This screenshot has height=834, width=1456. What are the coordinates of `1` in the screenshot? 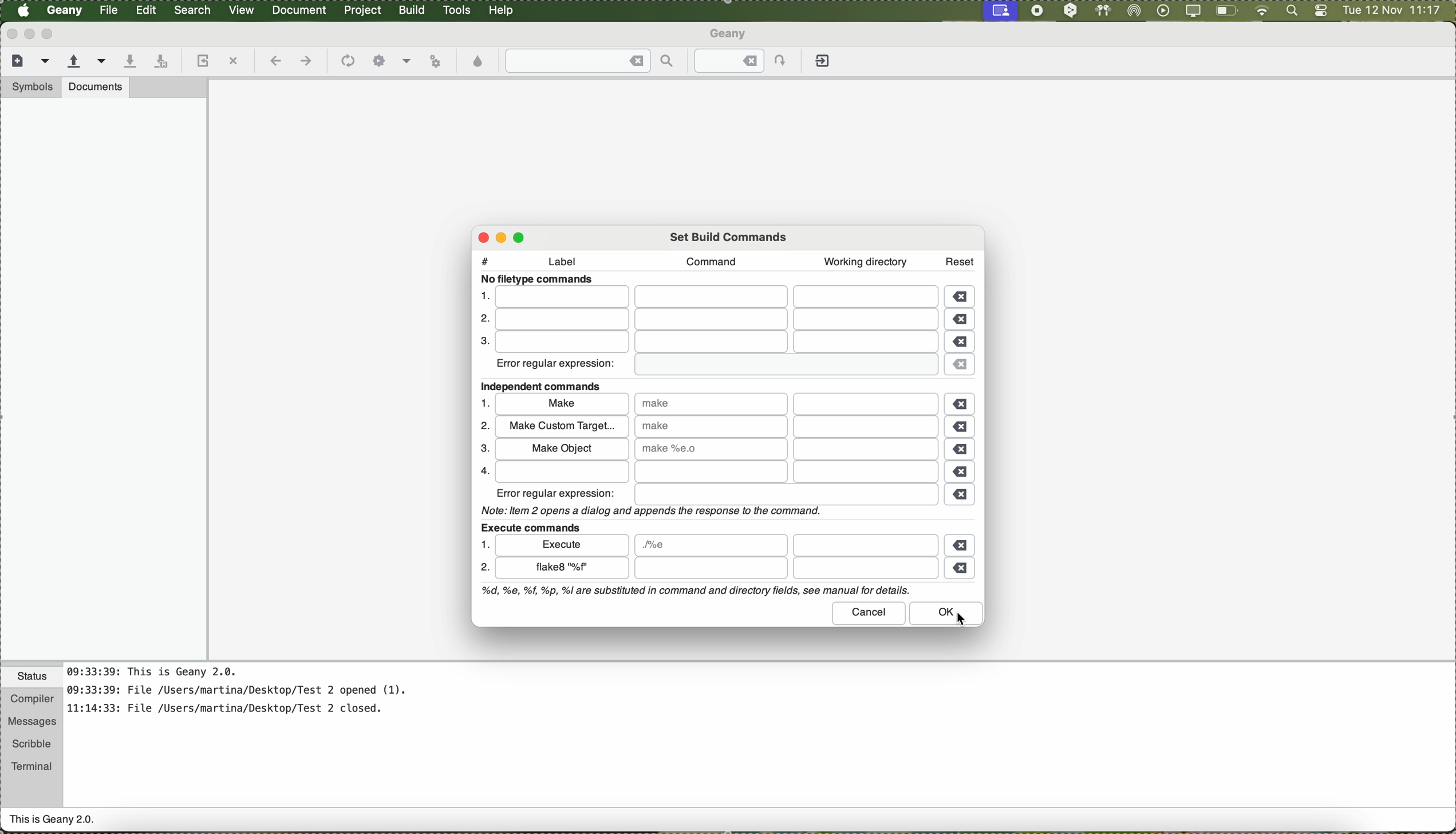 It's located at (483, 544).